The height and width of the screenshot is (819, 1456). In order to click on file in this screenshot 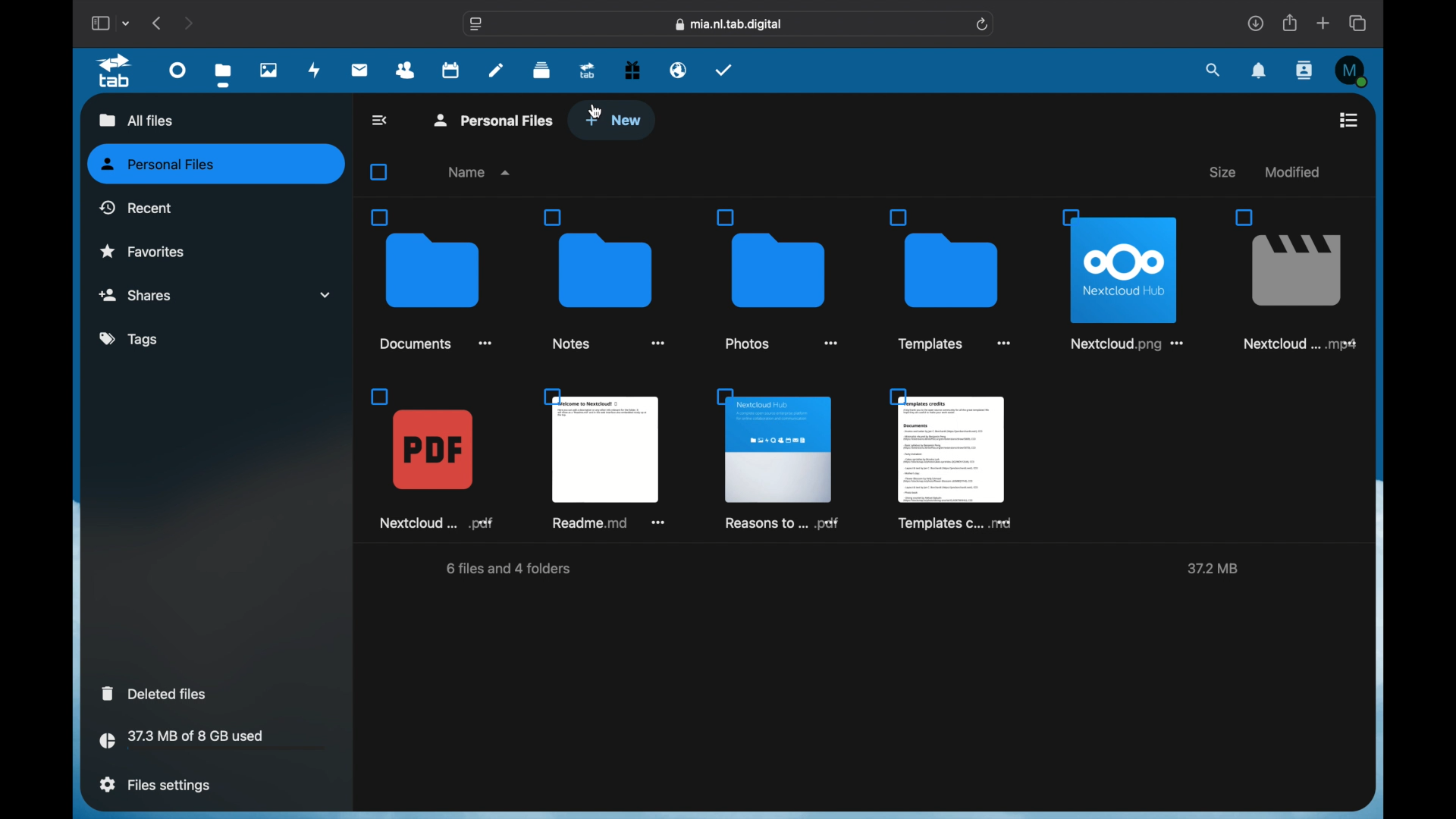, I will do `click(434, 458)`.